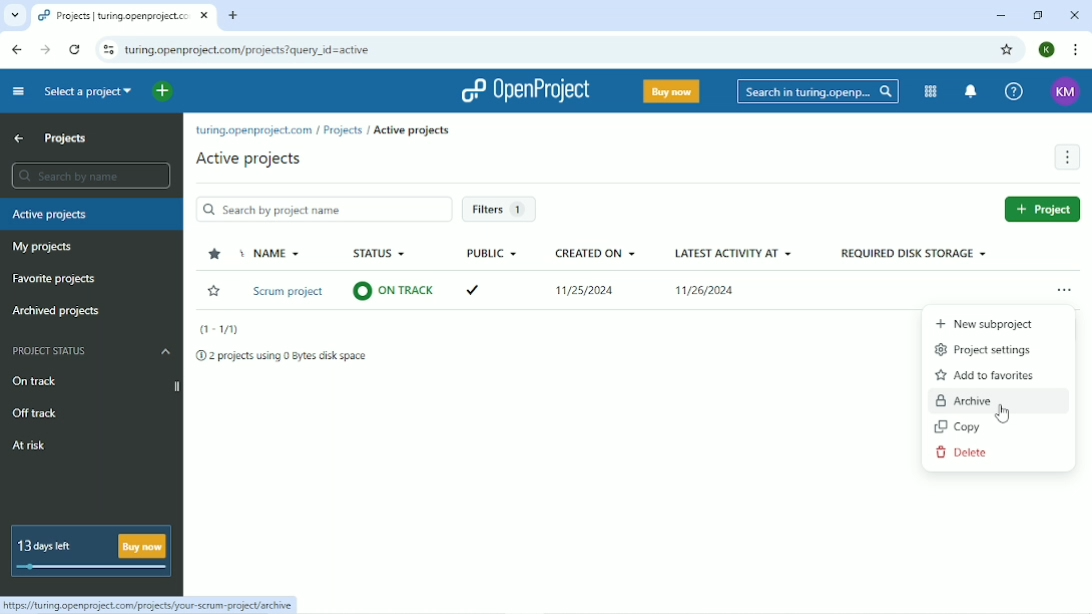  Describe the element at coordinates (55, 542) in the screenshot. I see `13 days left  B` at that location.